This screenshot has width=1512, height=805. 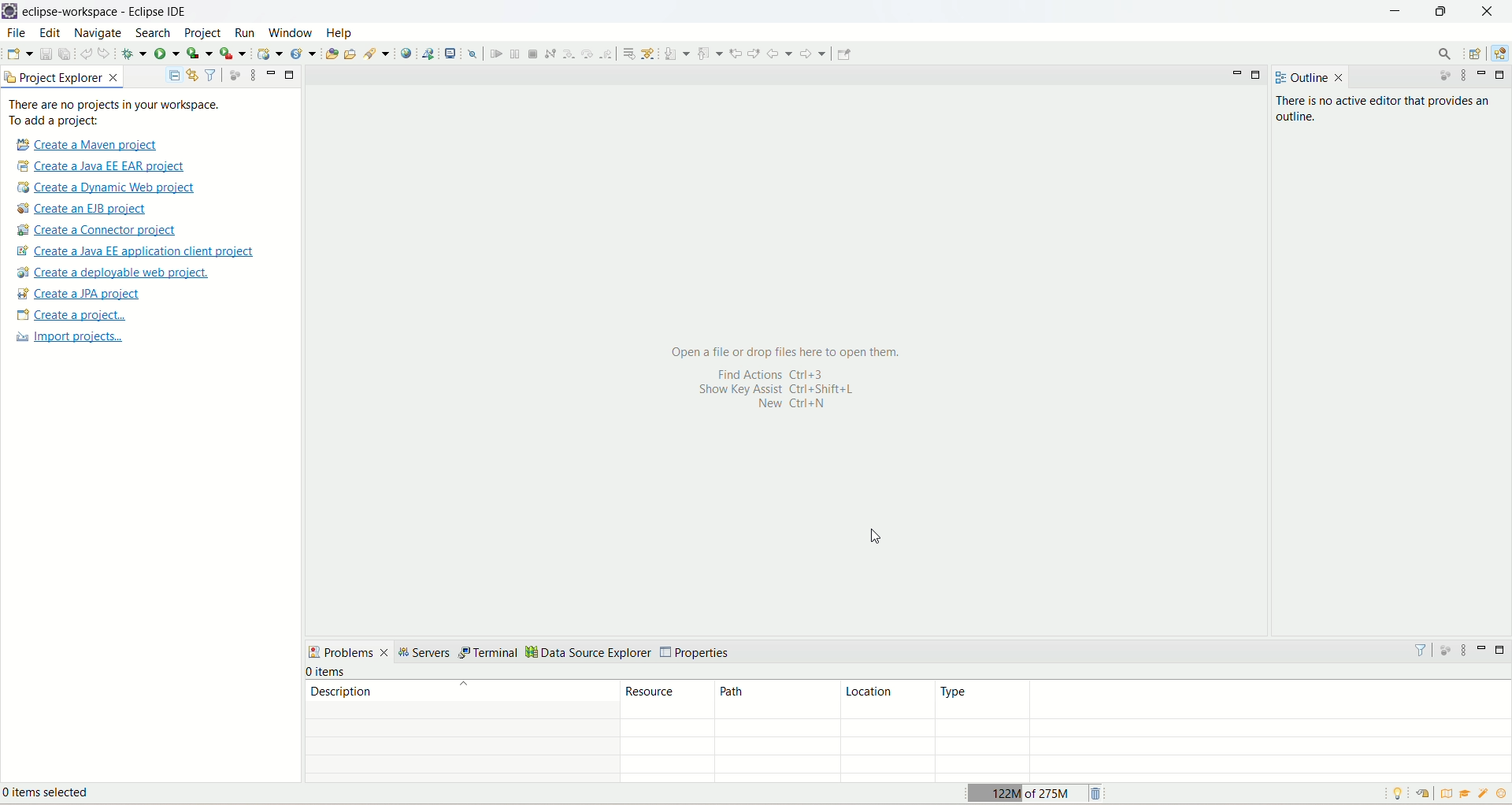 I want to click on Delete, so click(x=1098, y=792).